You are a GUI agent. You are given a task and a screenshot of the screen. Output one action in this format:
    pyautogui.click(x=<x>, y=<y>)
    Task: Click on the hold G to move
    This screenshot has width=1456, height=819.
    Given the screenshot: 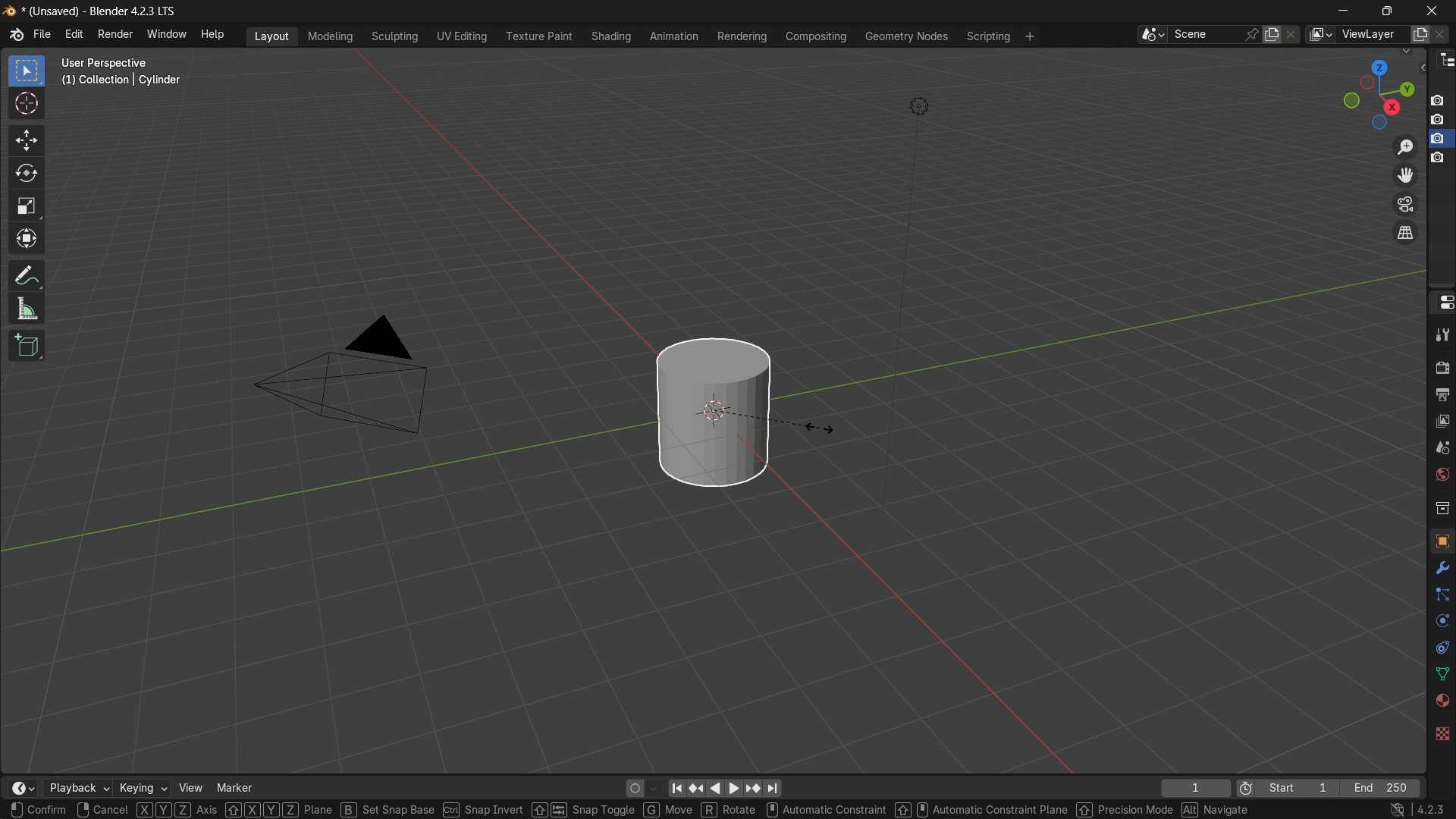 What is the action you would take?
    pyautogui.click(x=669, y=810)
    